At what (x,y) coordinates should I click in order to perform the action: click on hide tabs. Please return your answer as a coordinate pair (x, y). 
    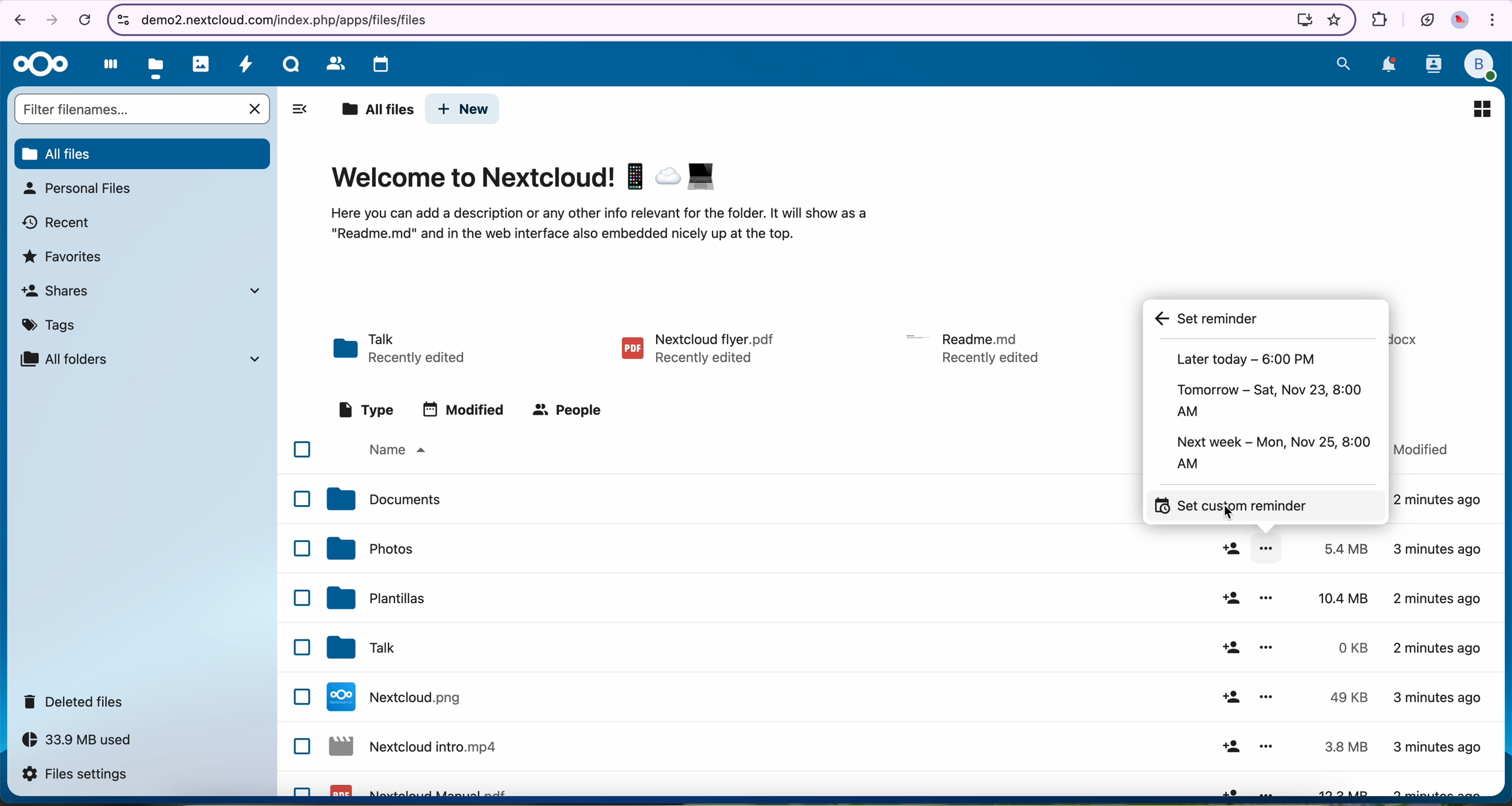
    Looking at the image, I should click on (301, 110).